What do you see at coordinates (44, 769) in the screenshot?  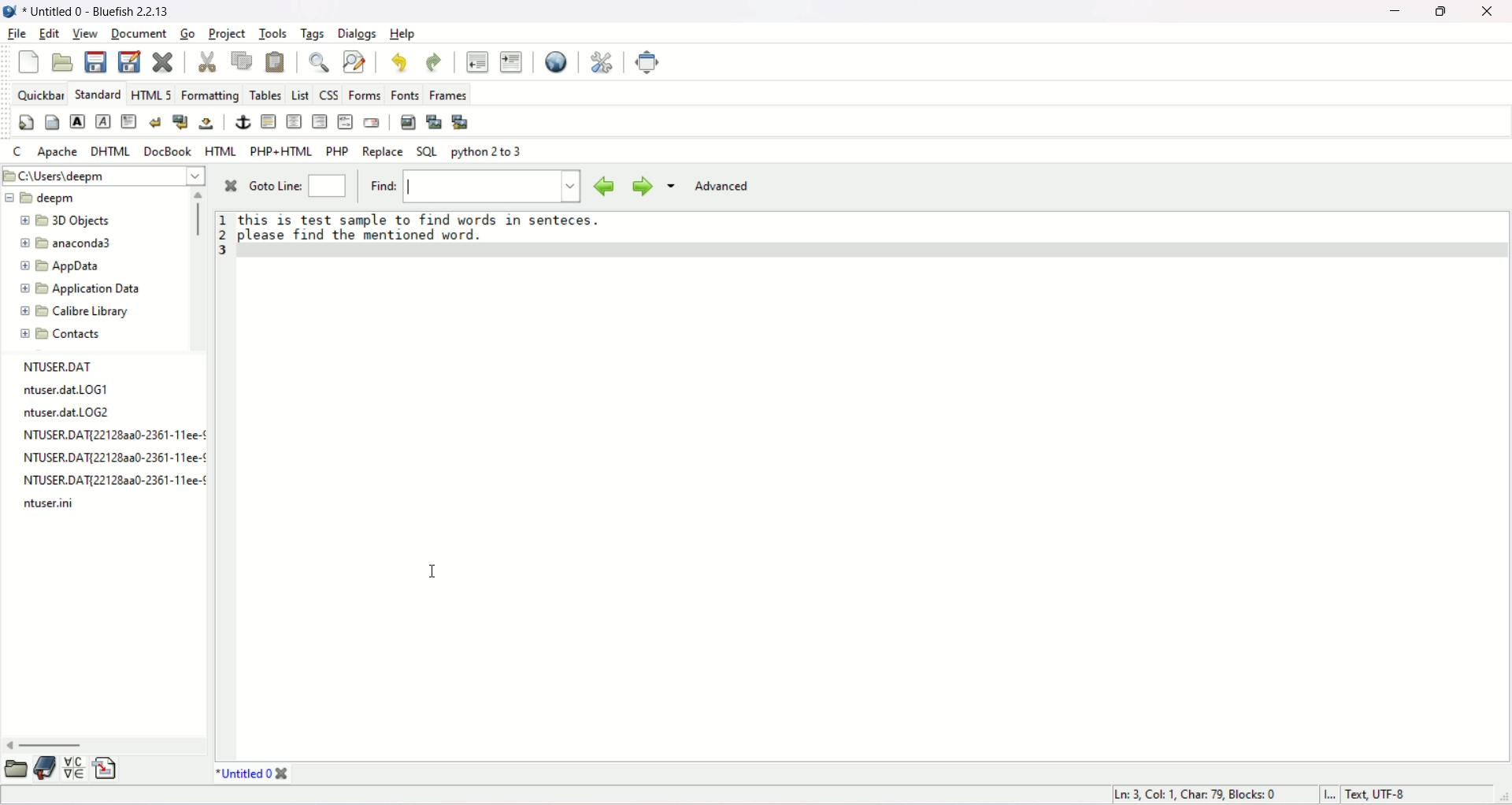 I see `documentation` at bounding box center [44, 769].